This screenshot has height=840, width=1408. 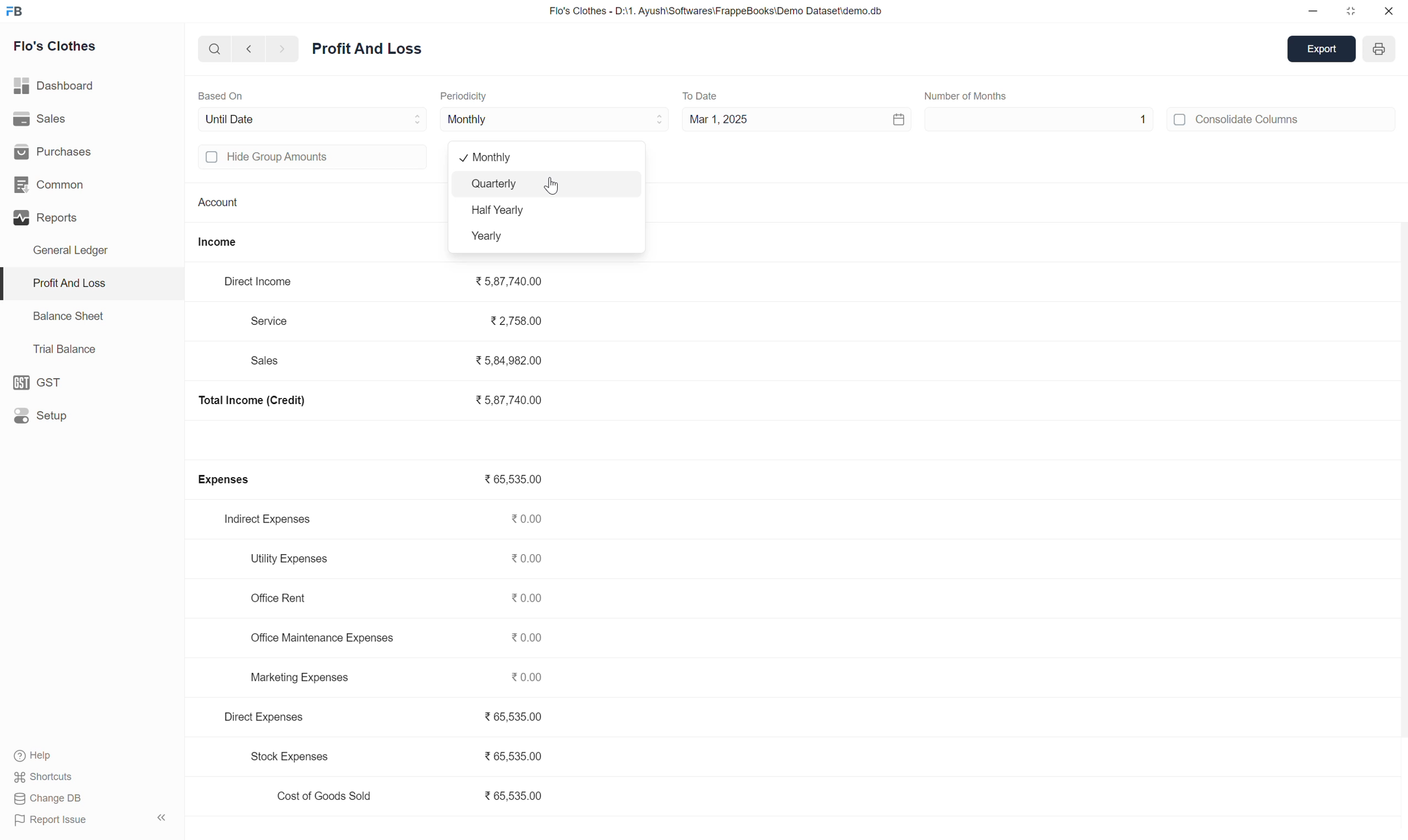 What do you see at coordinates (59, 85) in the screenshot?
I see `Dashboard` at bounding box center [59, 85].